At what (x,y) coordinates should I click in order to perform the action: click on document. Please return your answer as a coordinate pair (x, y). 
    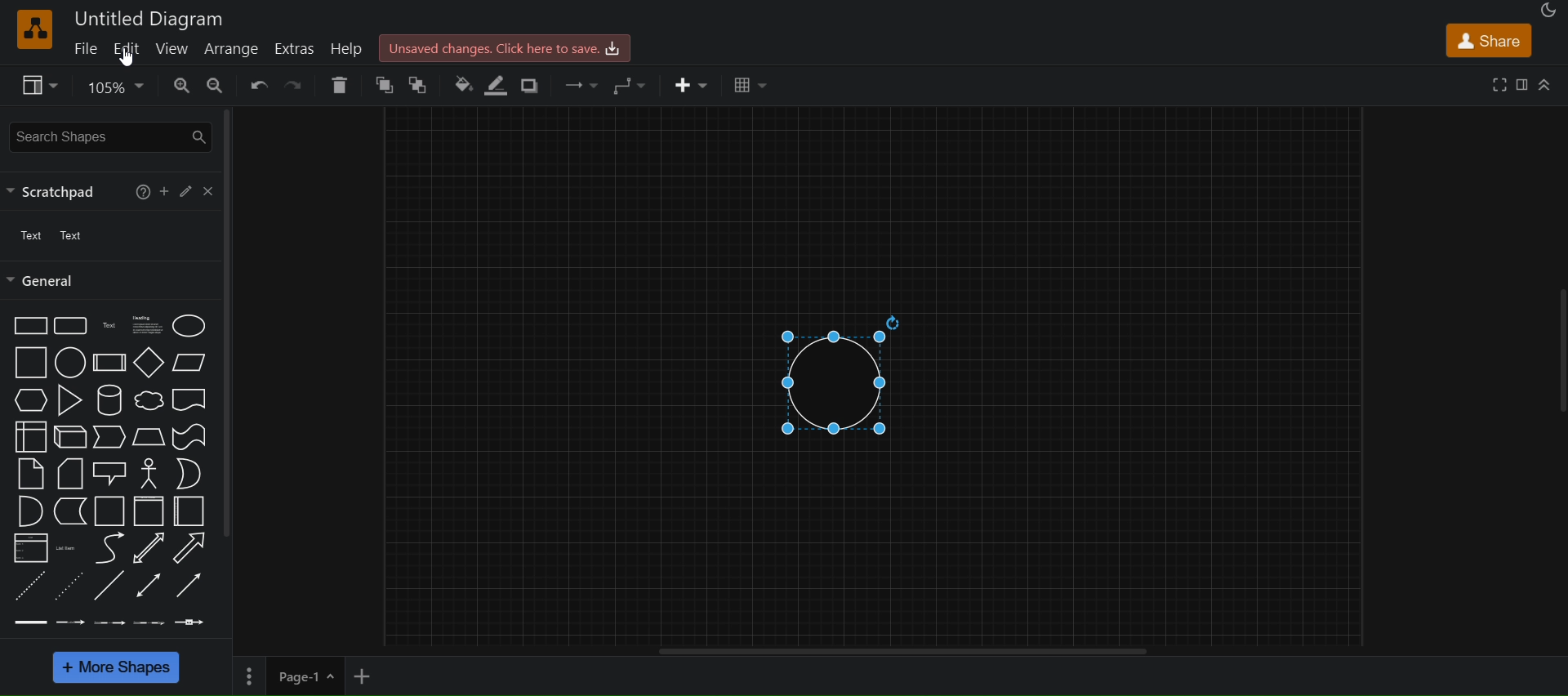
    Looking at the image, I should click on (193, 399).